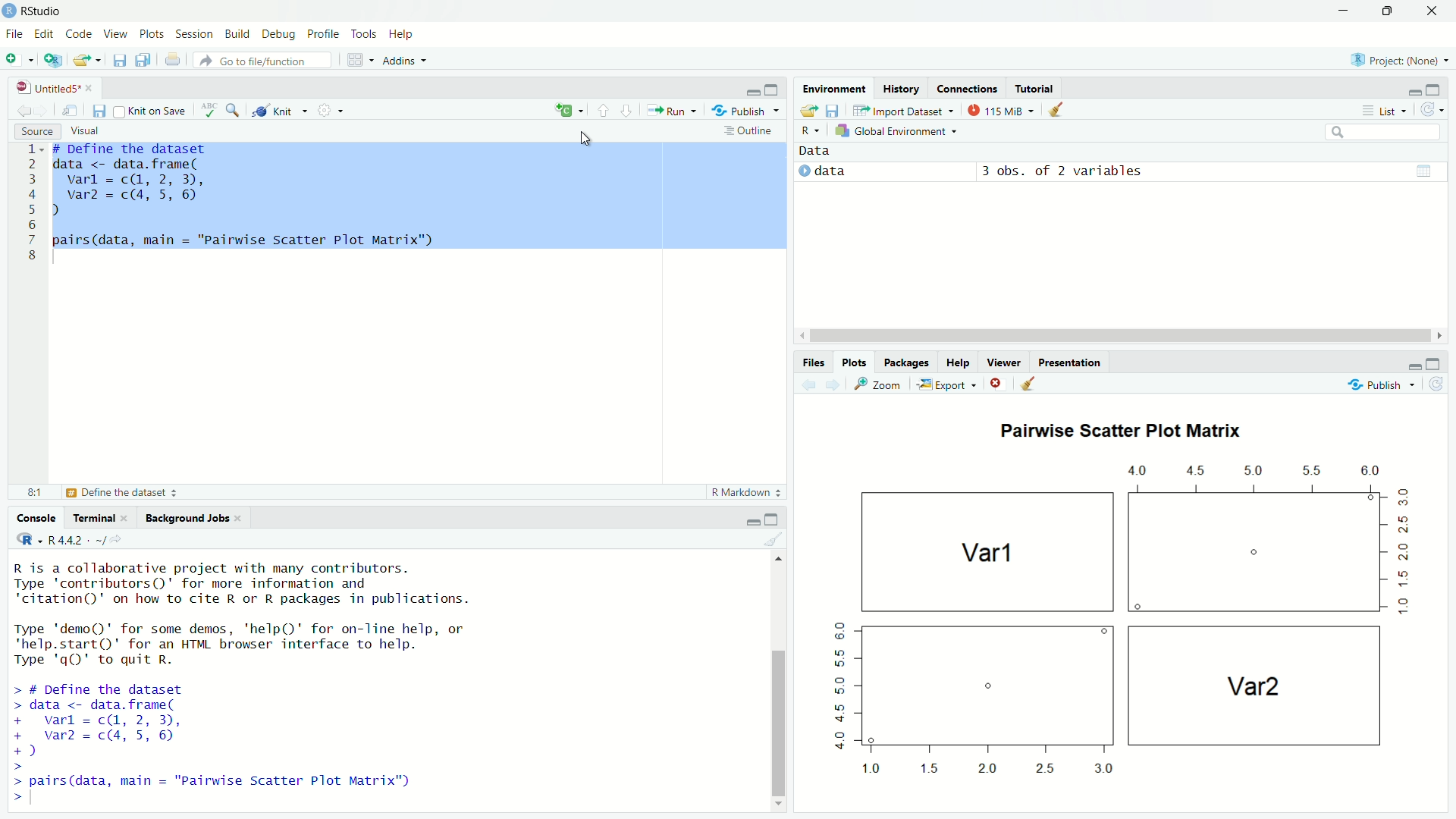 This screenshot has width=1456, height=819. Describe the element at coordinates (833, 108) in the screenshot. I see `Save workspace as` at that location.